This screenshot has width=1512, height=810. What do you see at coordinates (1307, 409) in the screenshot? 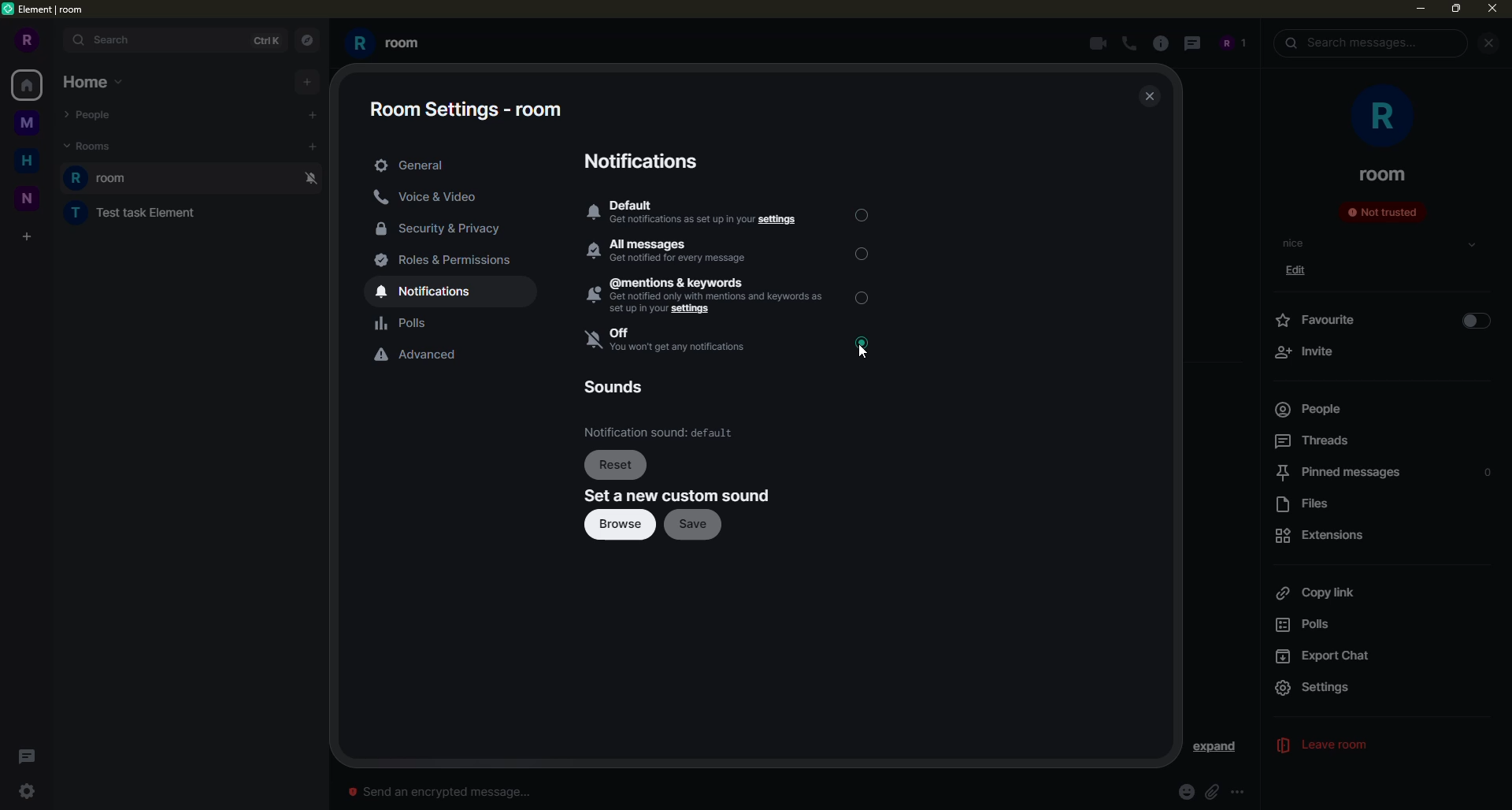
I see `people` at bounding box center [1307, 409].